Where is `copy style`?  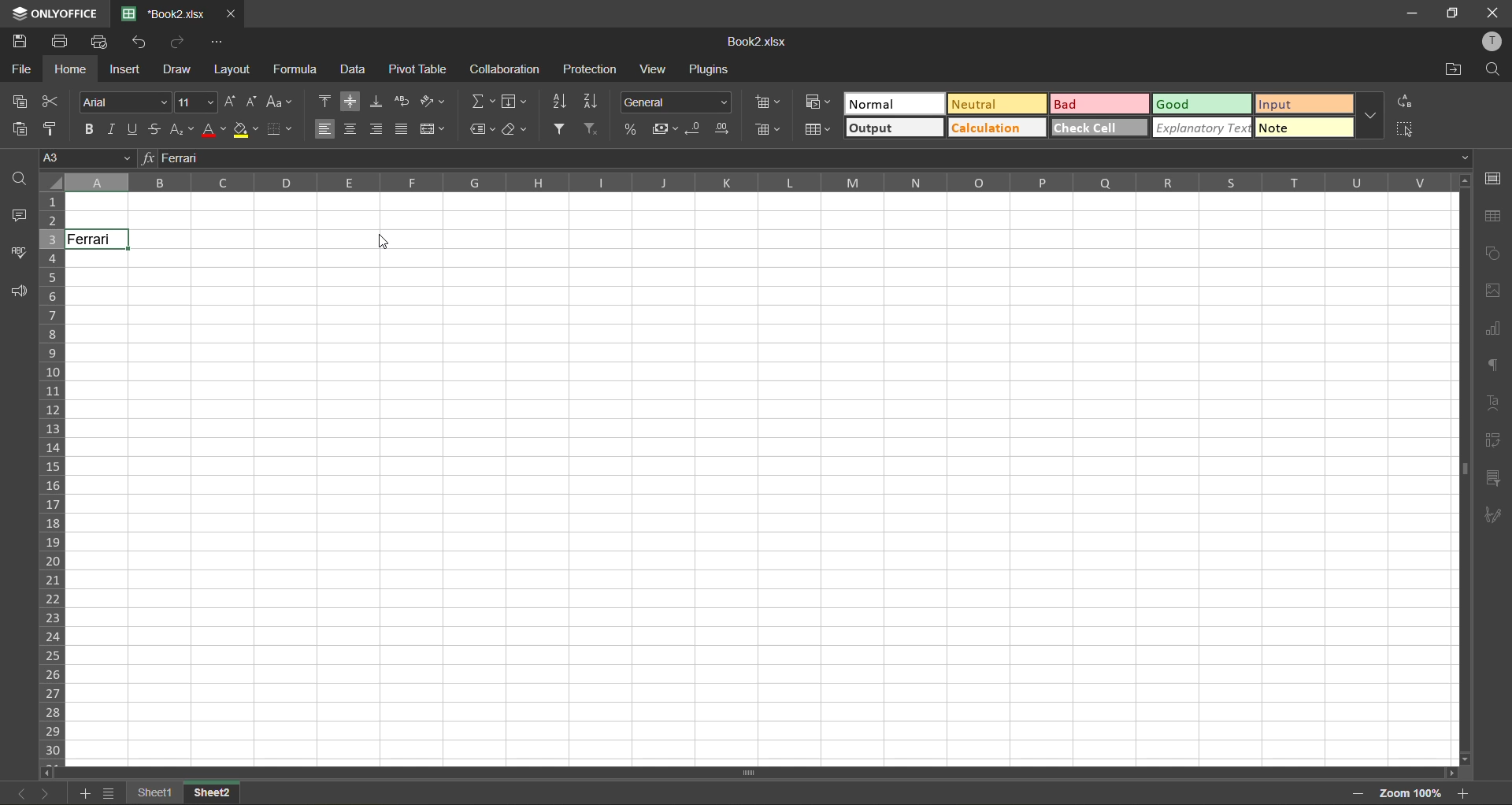 copy style is located at coordinates (53, 128).